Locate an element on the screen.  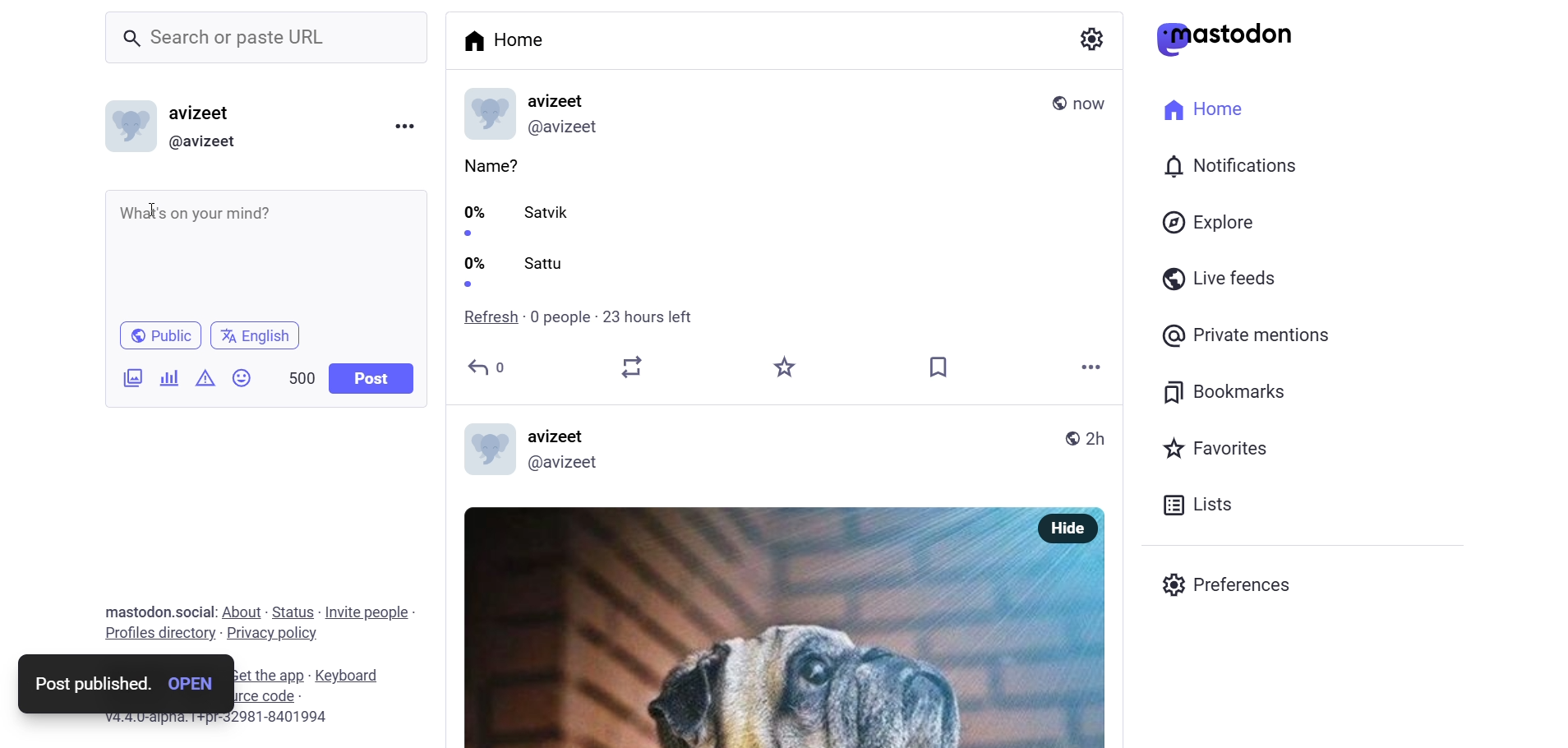
percentage is located at coordinates (473, 244).